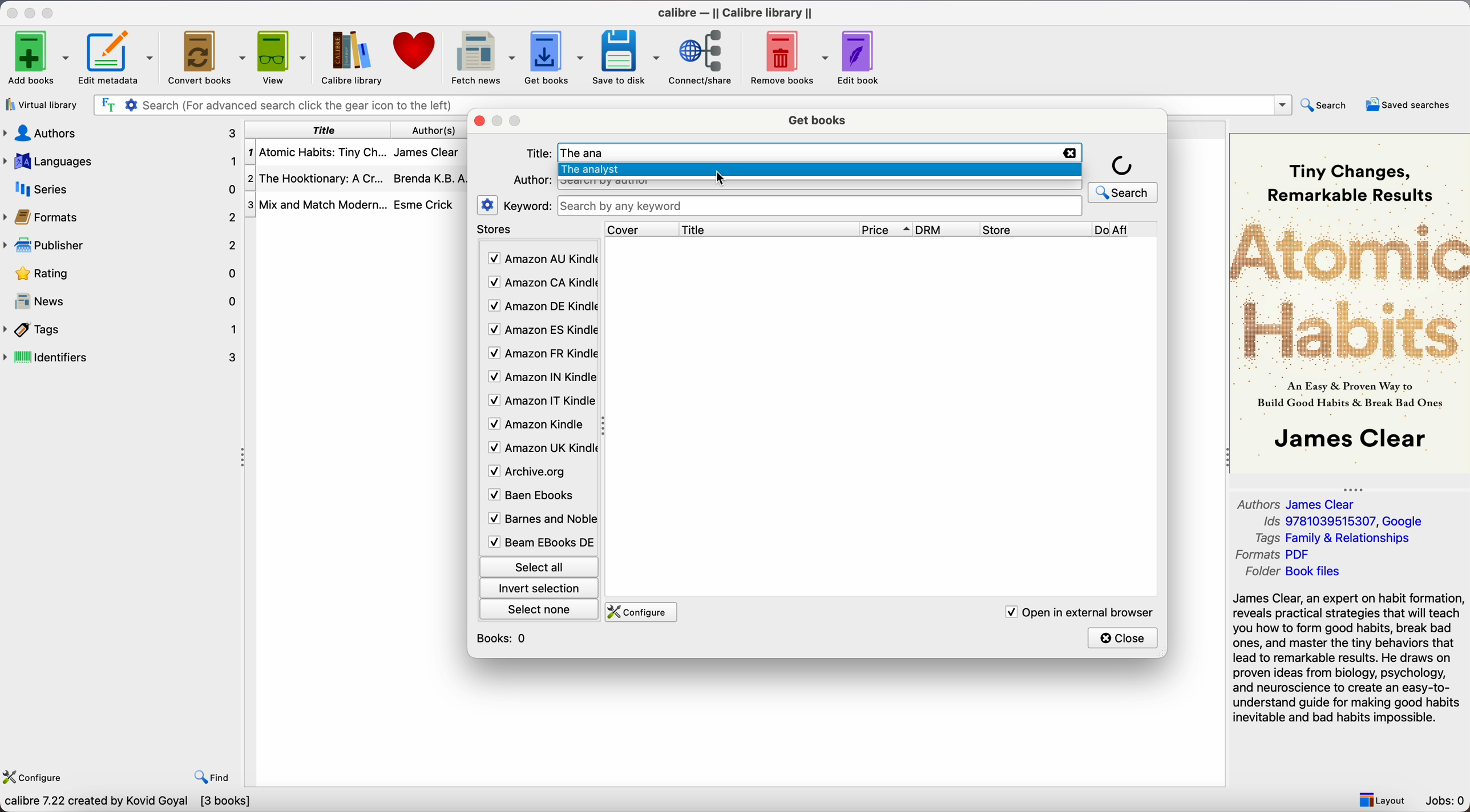 The height and width of the screenshot is (812, 1470). I want to click on Do Aff, so click(1125, 230).